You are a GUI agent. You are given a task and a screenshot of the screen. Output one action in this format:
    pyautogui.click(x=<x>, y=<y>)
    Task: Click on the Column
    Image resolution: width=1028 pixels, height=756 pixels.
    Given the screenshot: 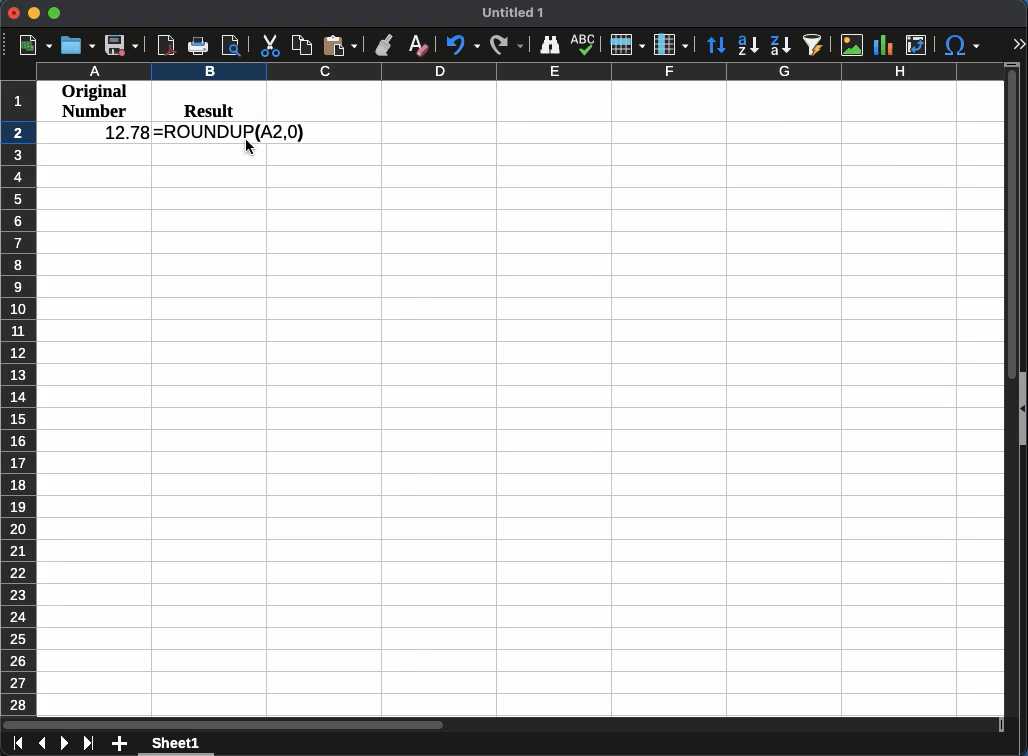 What is the action you would take?
    pyautogui.click(x=669, y=45)
    